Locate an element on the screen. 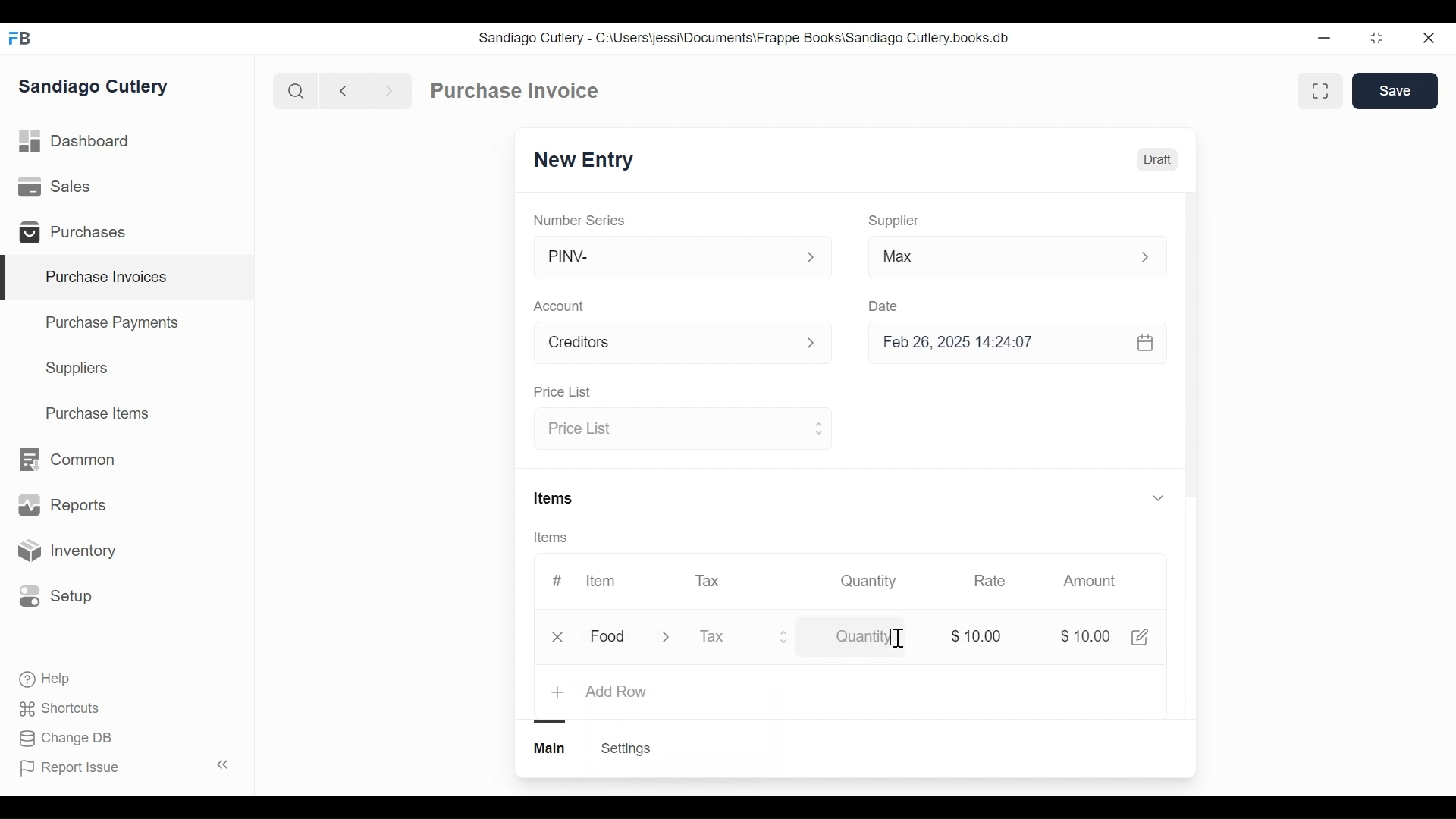 The width and height of the screenshot is (1456, 819). Reports is located at coordinates (62, 508).